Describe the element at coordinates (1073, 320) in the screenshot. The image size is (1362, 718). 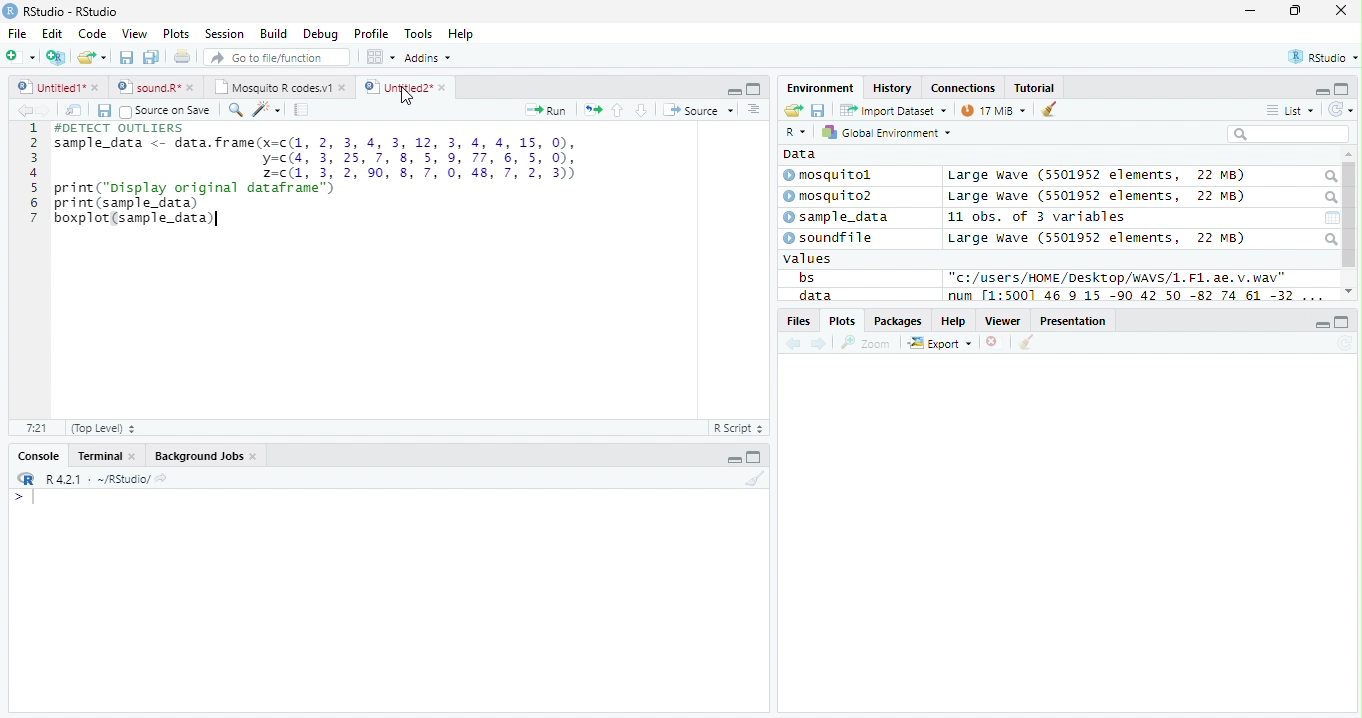
I see `Presentation` at that location.